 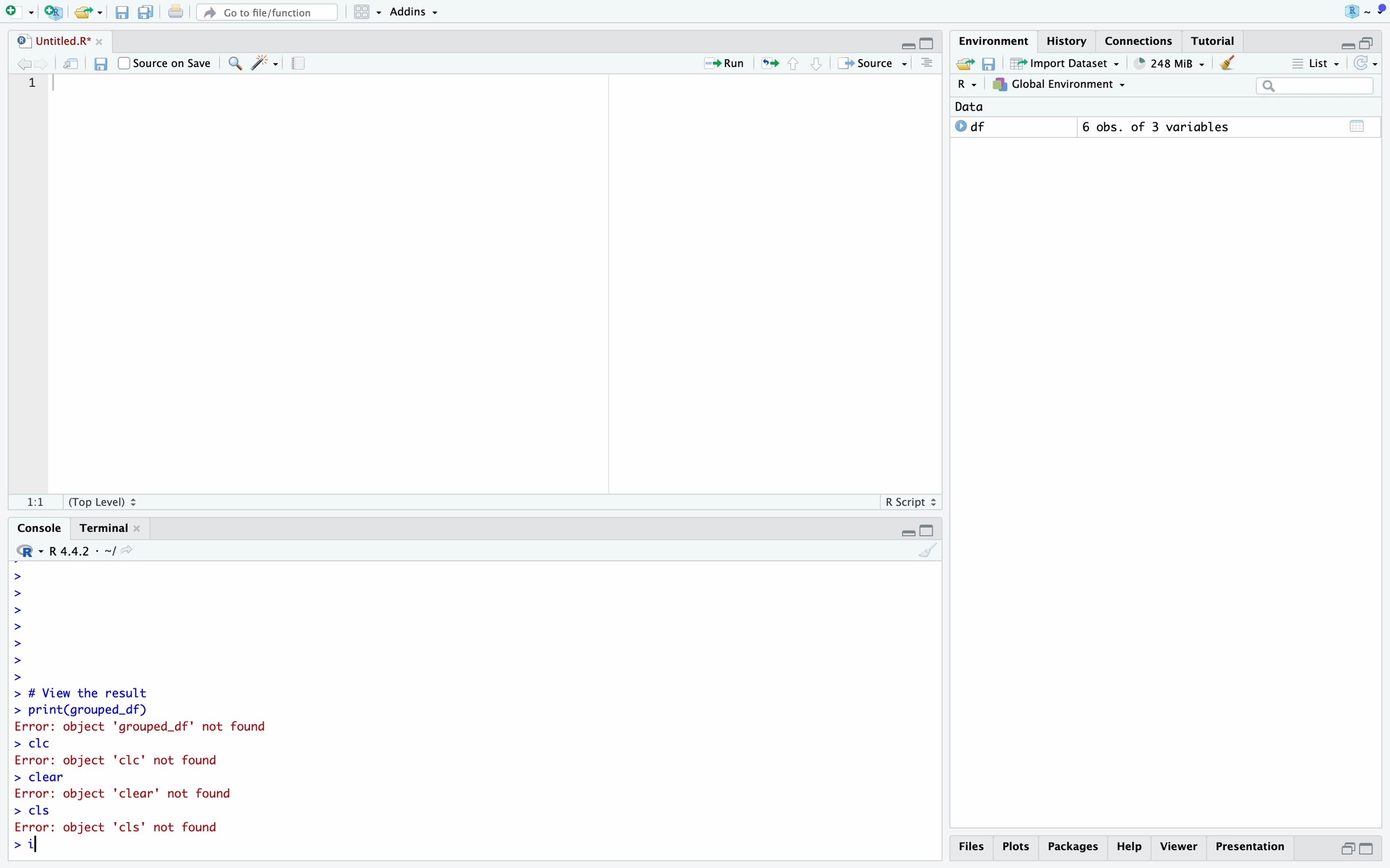 What do you see at coordinates (176, 11) in the screenshot?
I see `Print` at bounding box center [176, 11].